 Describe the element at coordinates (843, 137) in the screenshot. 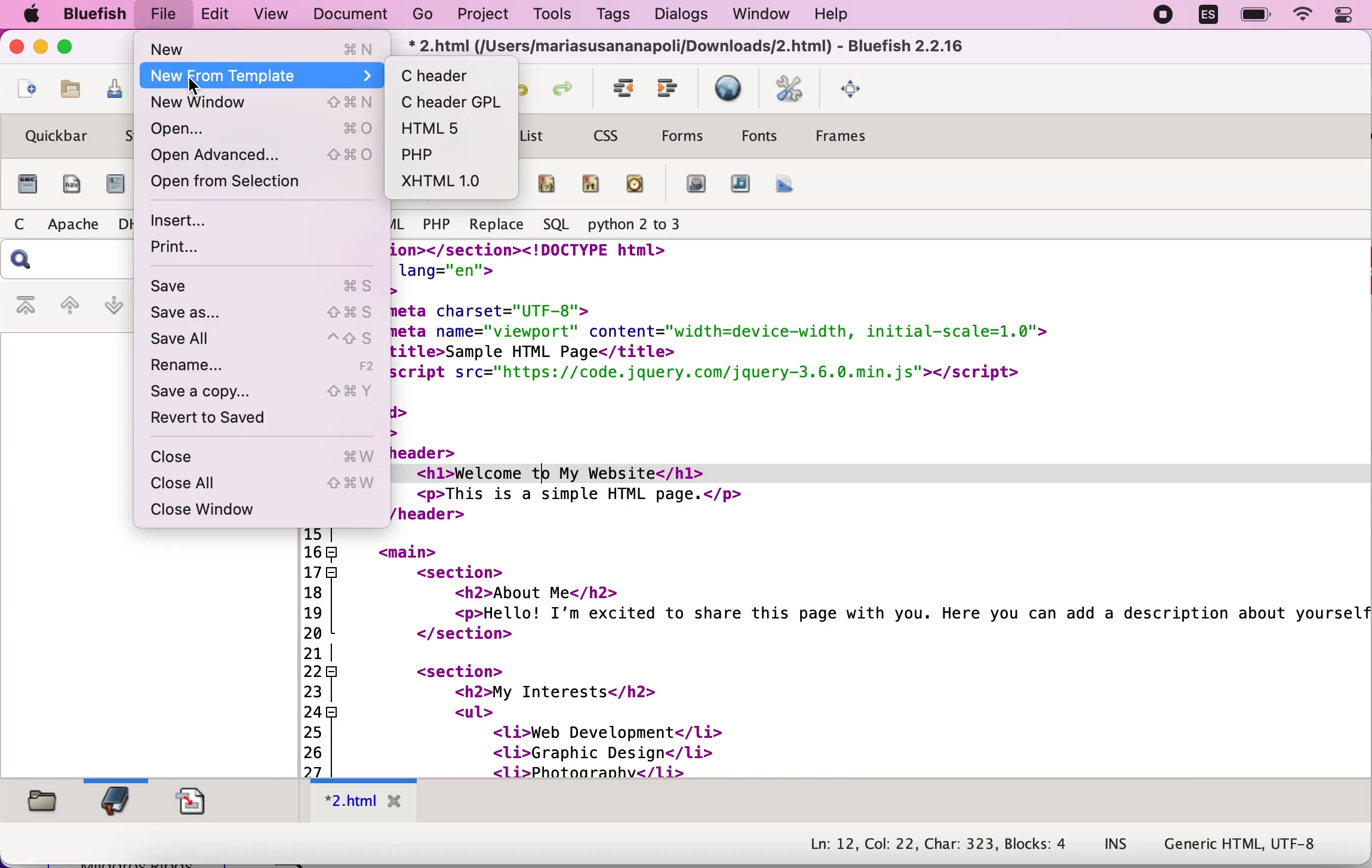

I see `frames` at that location.